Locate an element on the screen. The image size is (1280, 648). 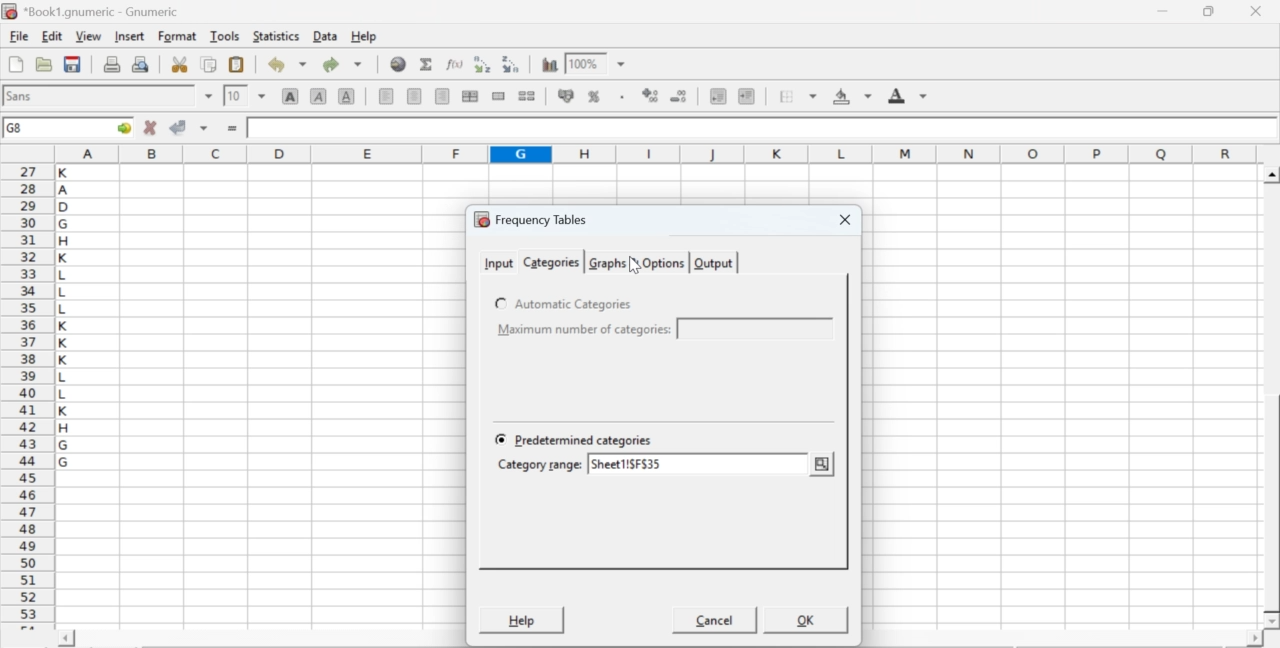
underline is located at coordinates (347, 95).